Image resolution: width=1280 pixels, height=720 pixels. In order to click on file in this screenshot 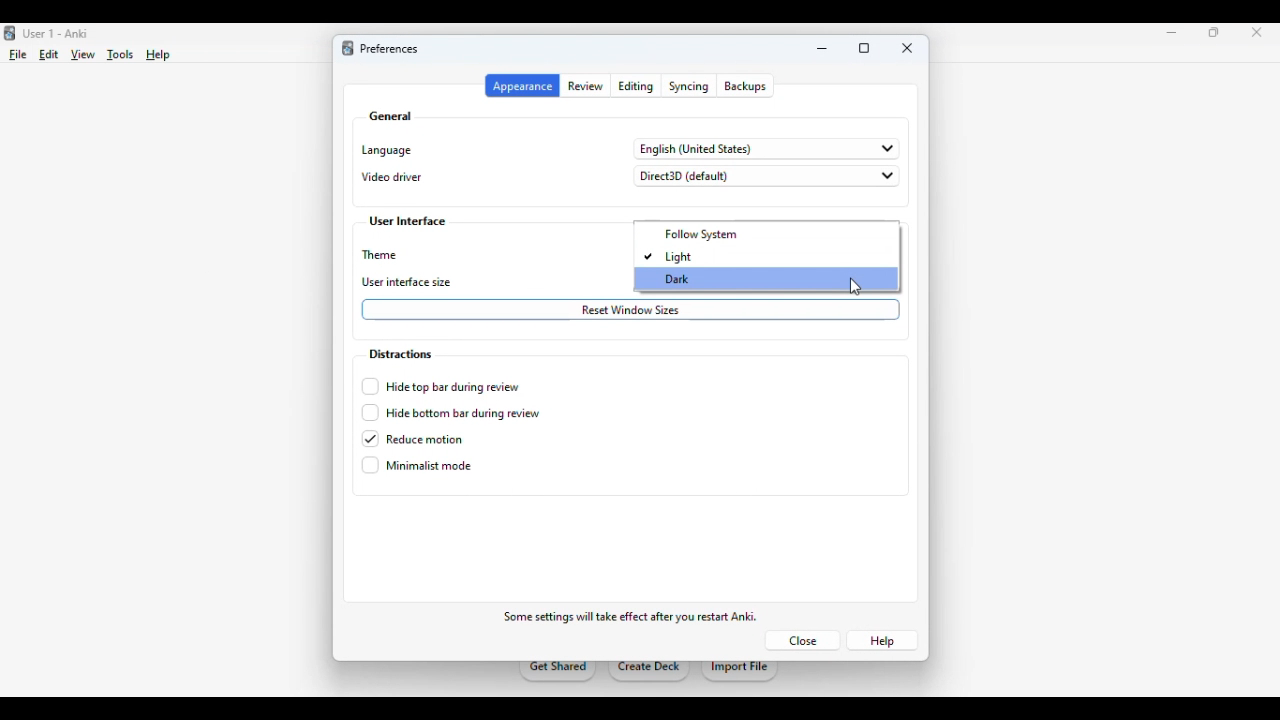, I will do `click(18, 55)`.